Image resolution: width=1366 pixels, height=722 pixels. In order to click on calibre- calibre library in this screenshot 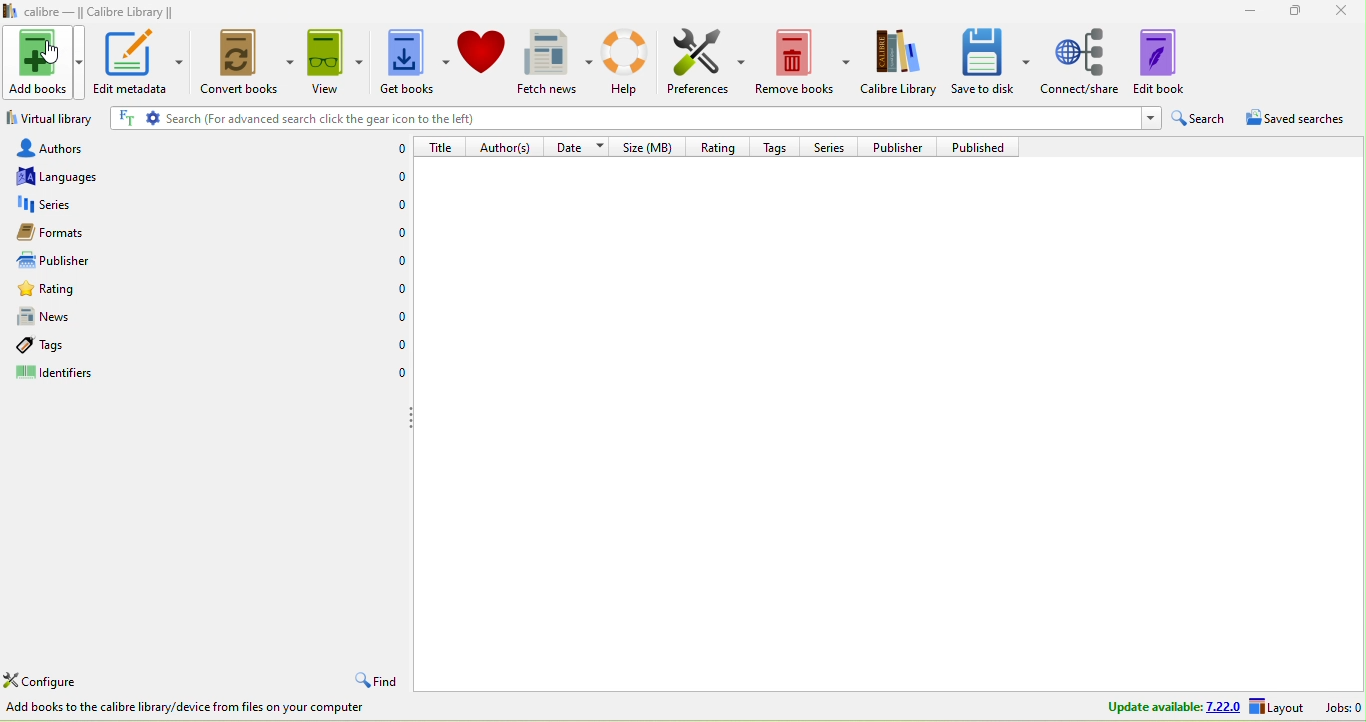, I will do `click(105, 11)`.